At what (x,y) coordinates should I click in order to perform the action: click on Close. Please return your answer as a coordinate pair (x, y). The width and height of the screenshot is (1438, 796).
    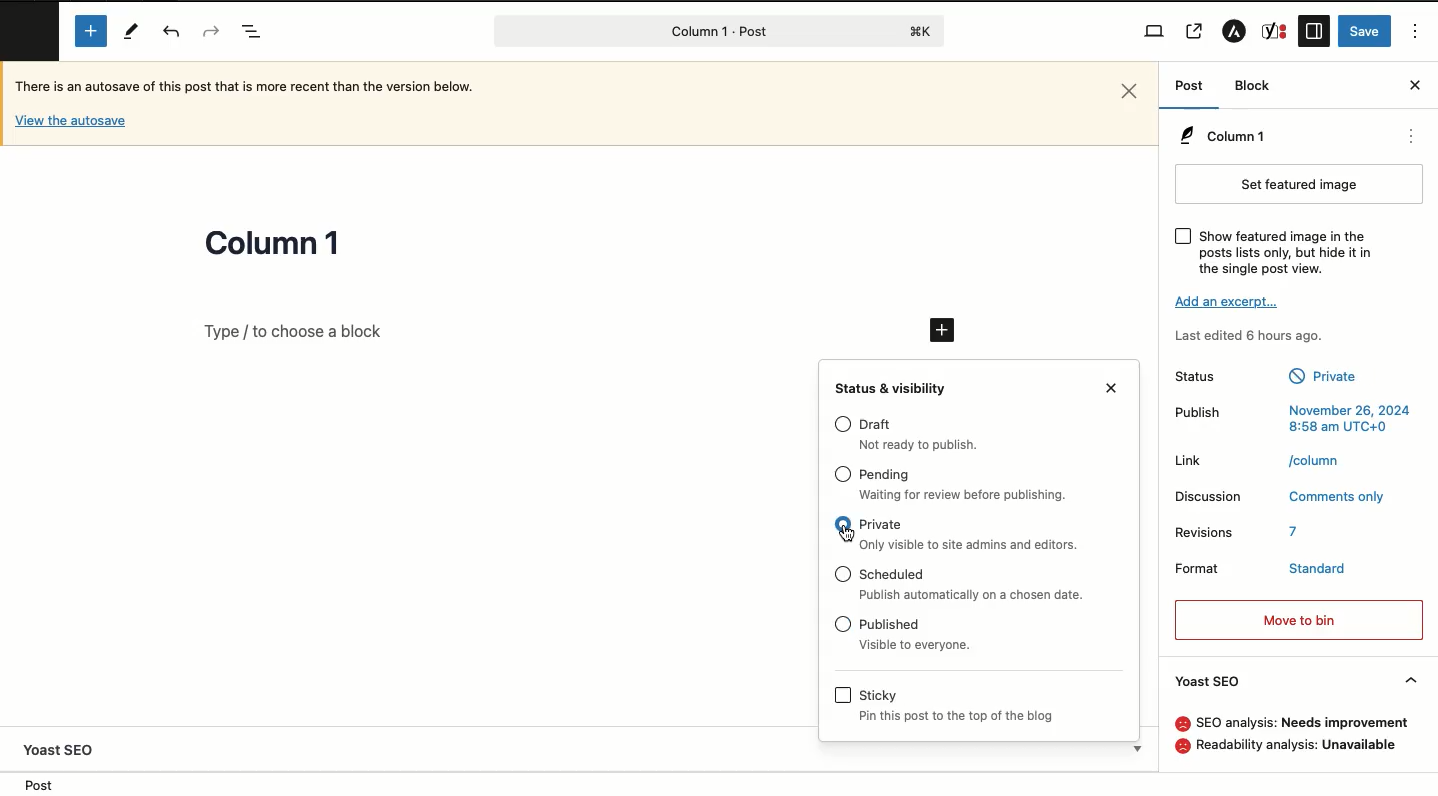
    Looking at the image, I should click on (1415, 84).